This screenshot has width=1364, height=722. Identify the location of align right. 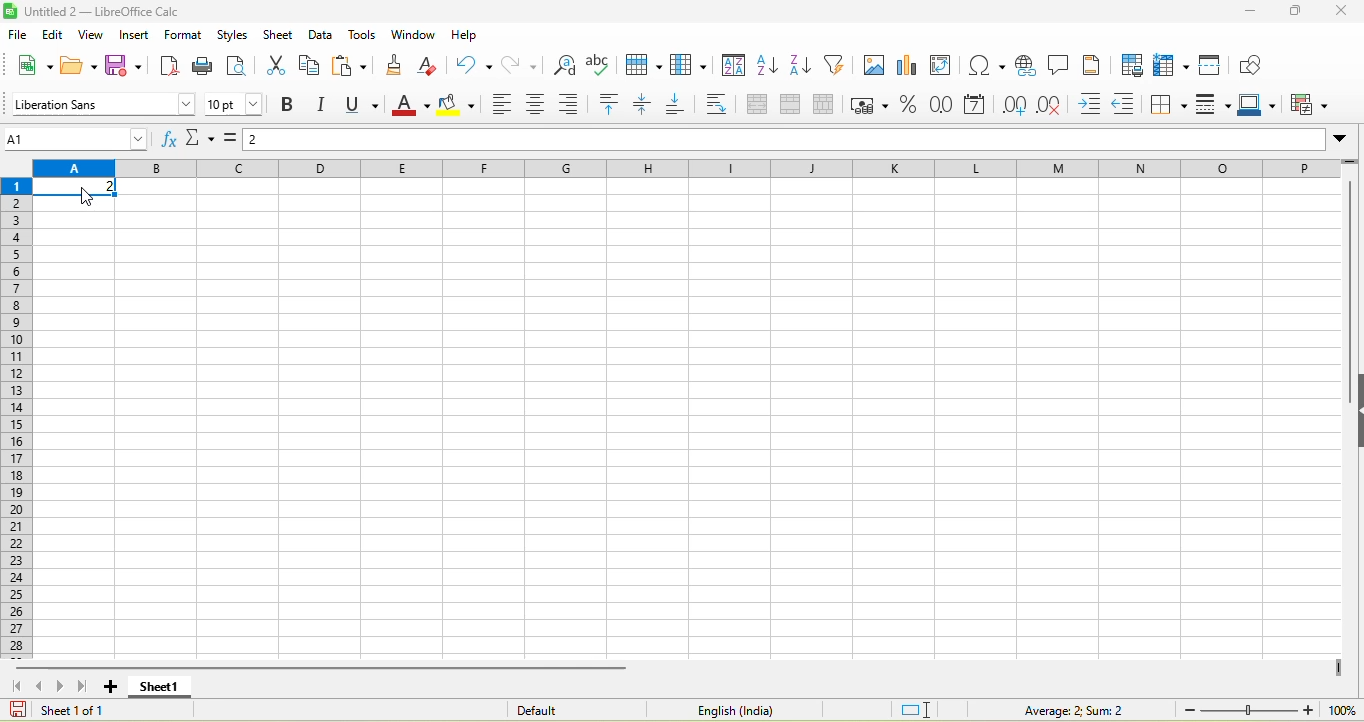
(575, 104).